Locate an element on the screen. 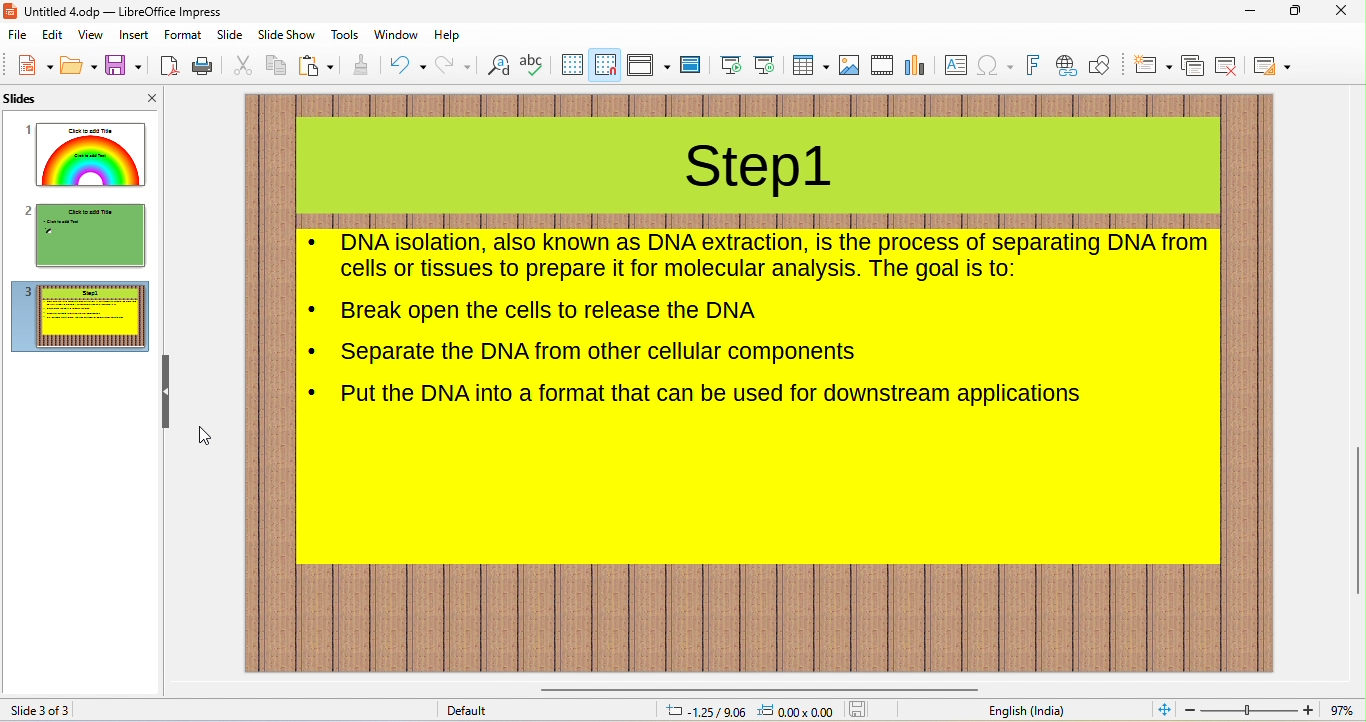 The height and width of the screenshot is (722, 1366). minimize is located at coordinates (1252, 12).